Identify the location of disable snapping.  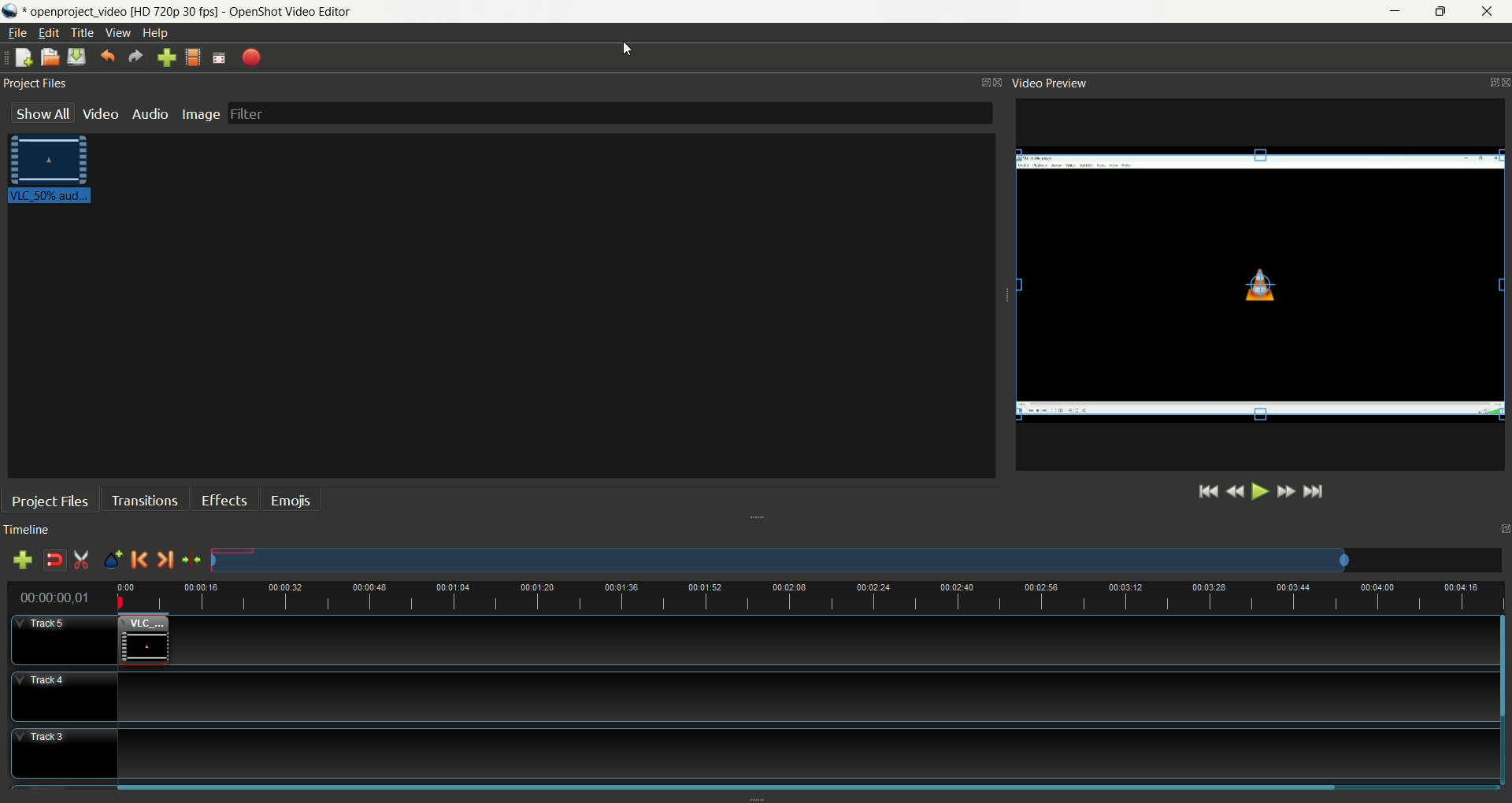
(55, 561).